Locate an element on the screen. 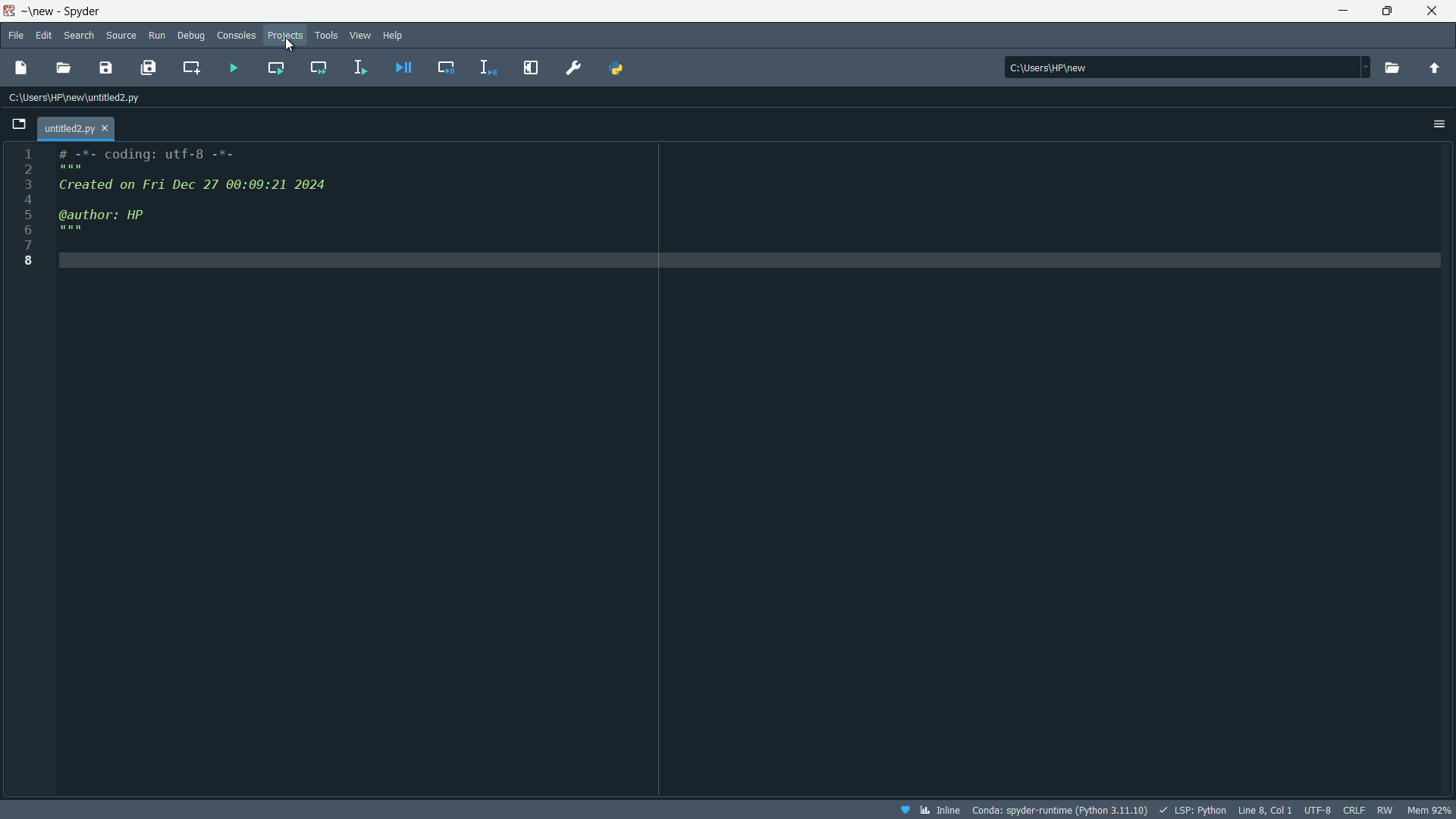  maximize is located at coordinates (1382, 11).